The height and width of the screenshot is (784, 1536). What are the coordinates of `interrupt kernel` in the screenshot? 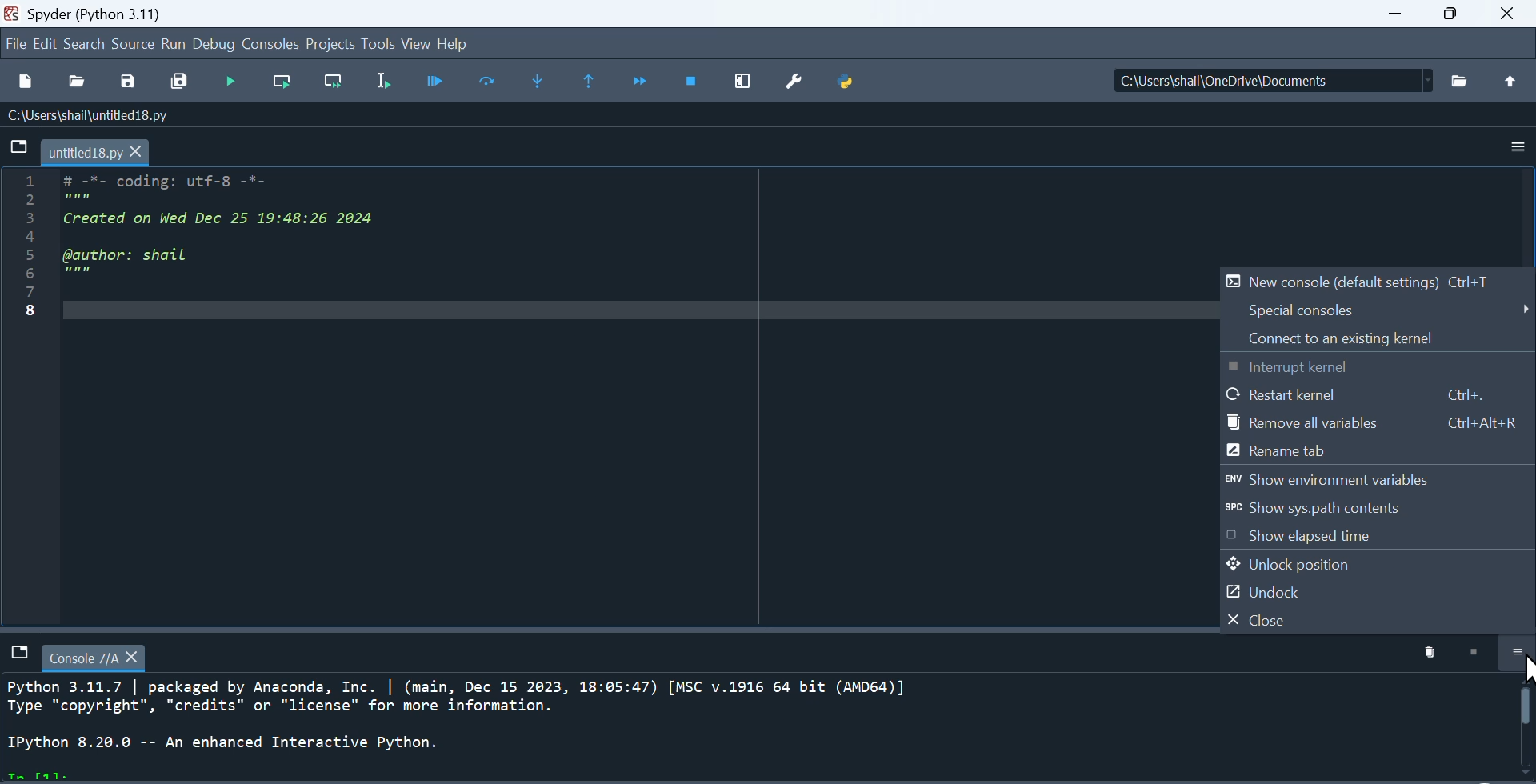 It's located at (1378, 366).